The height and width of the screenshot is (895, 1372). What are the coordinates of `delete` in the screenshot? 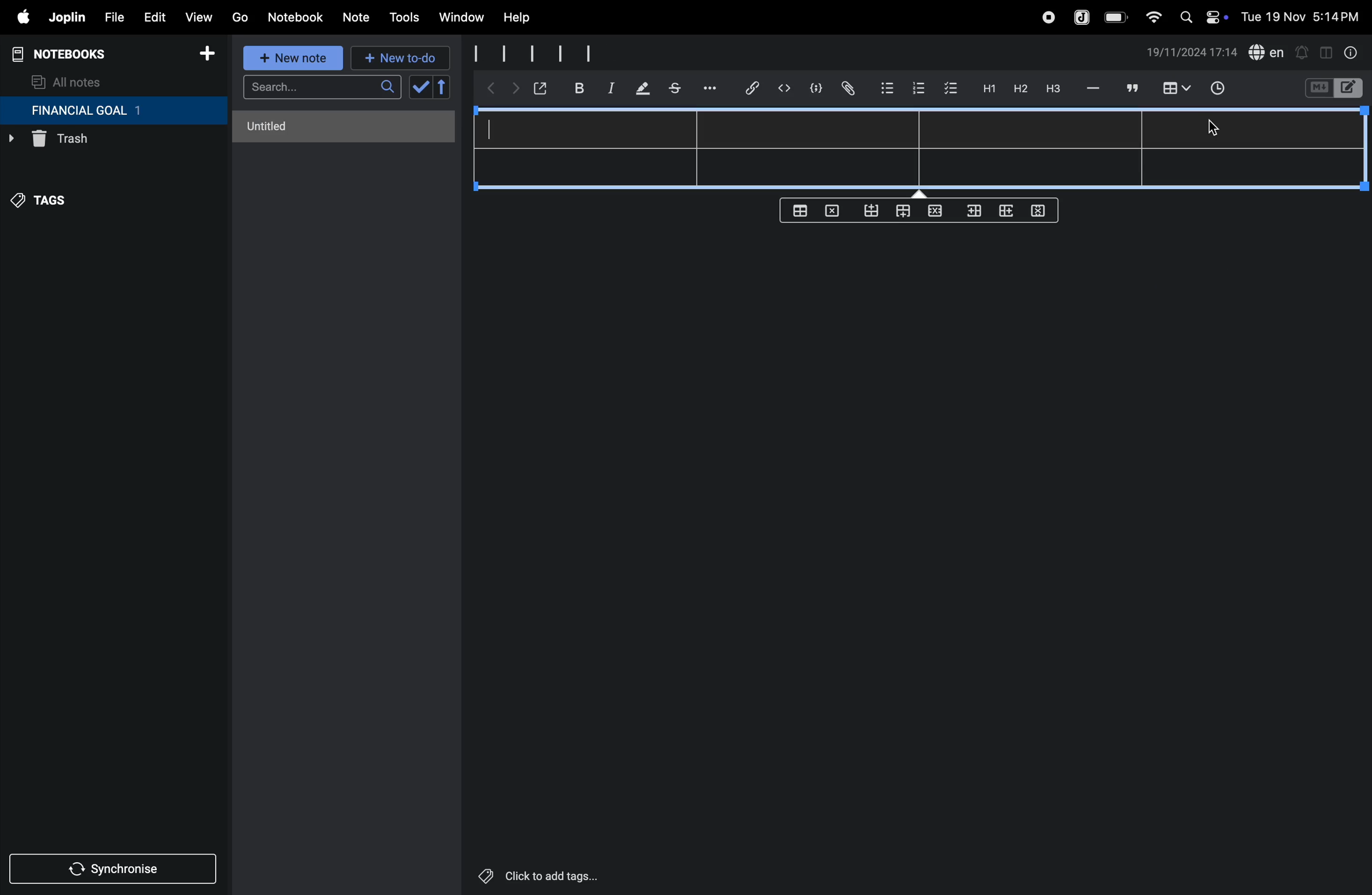 It's located at (835, 210).